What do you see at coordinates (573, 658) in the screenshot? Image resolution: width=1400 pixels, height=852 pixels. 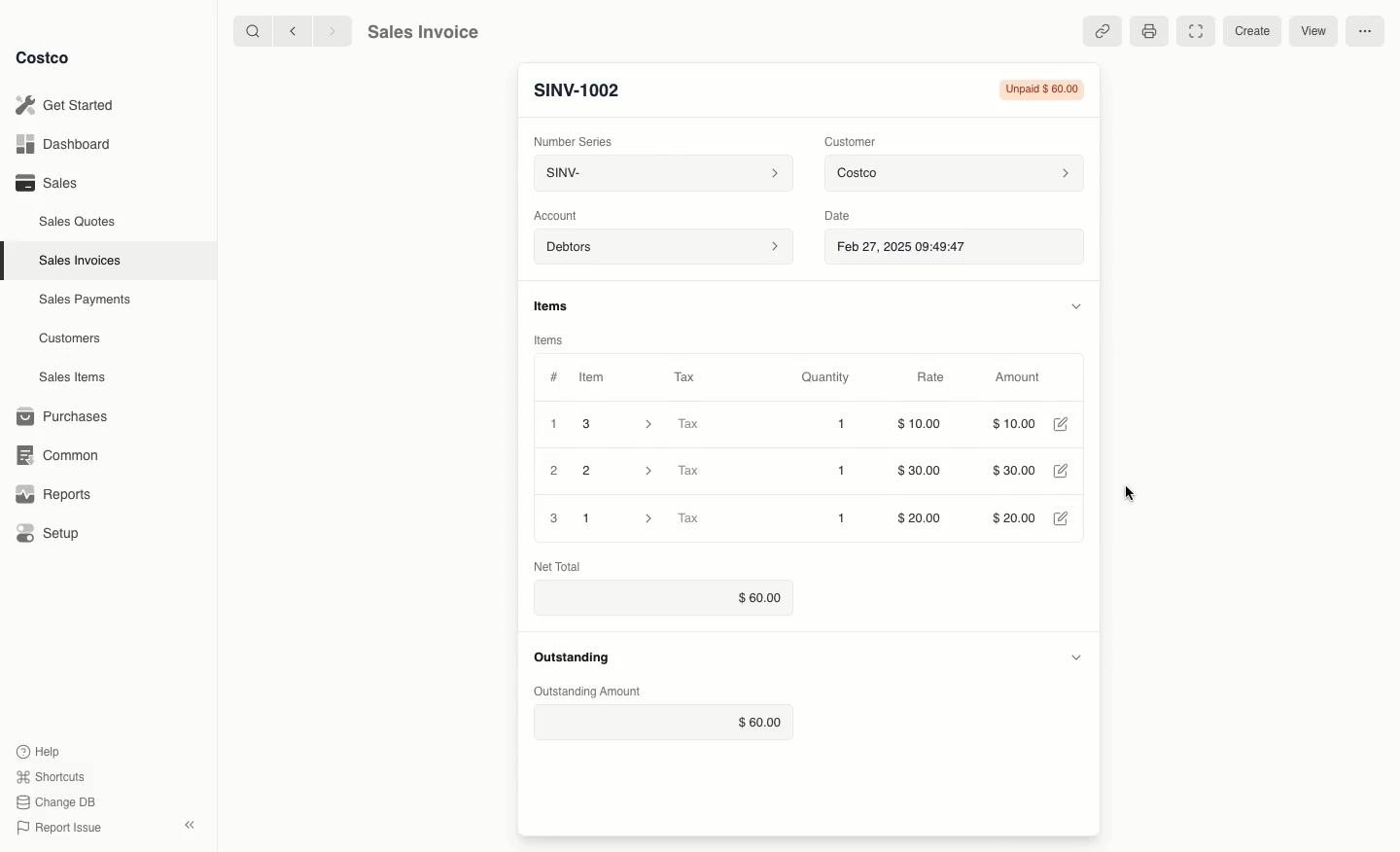 I see `Outstanding` at bounding box center [573, 658].